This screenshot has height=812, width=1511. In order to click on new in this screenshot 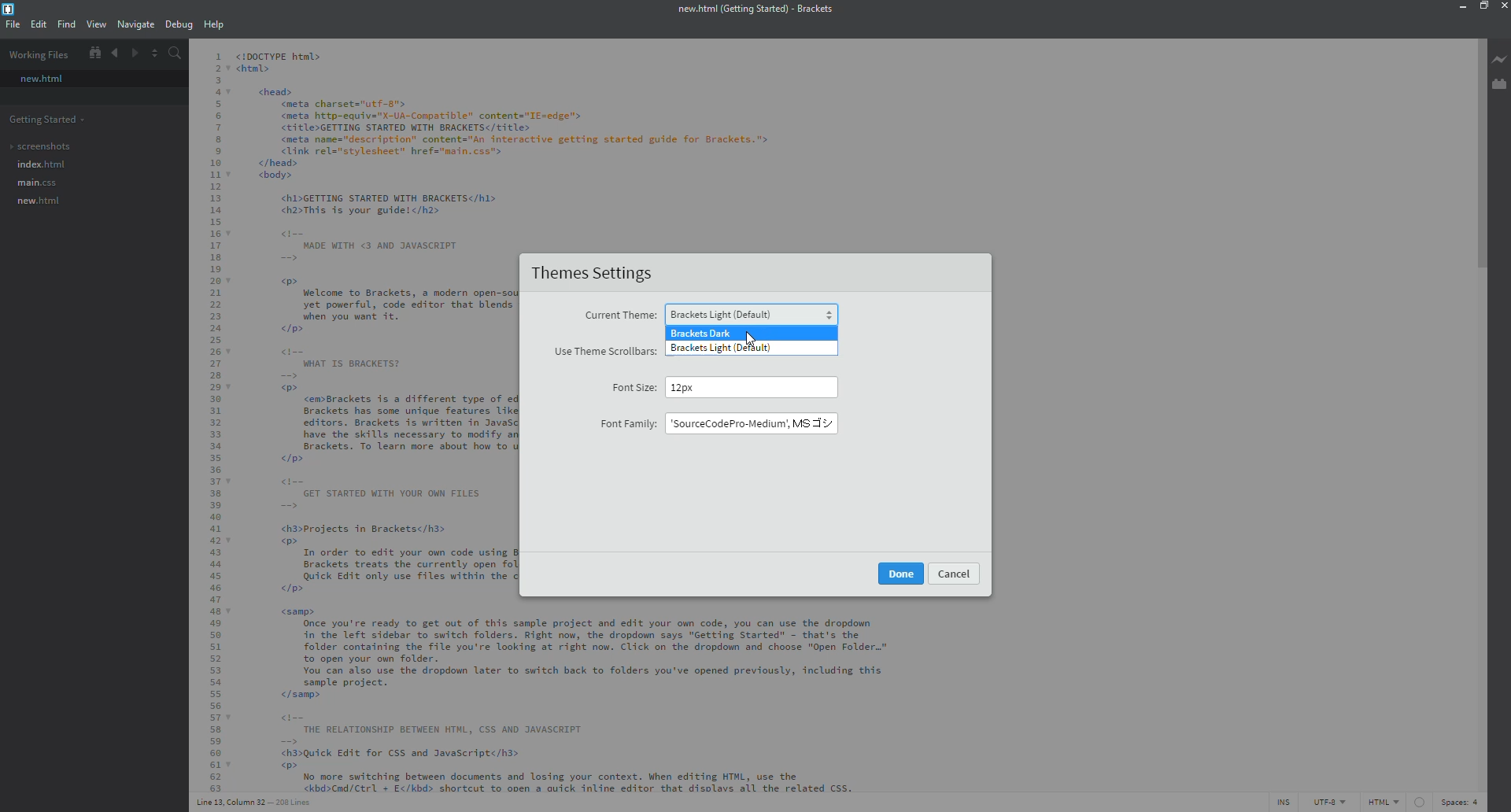, I will do `click(36, 201)`.